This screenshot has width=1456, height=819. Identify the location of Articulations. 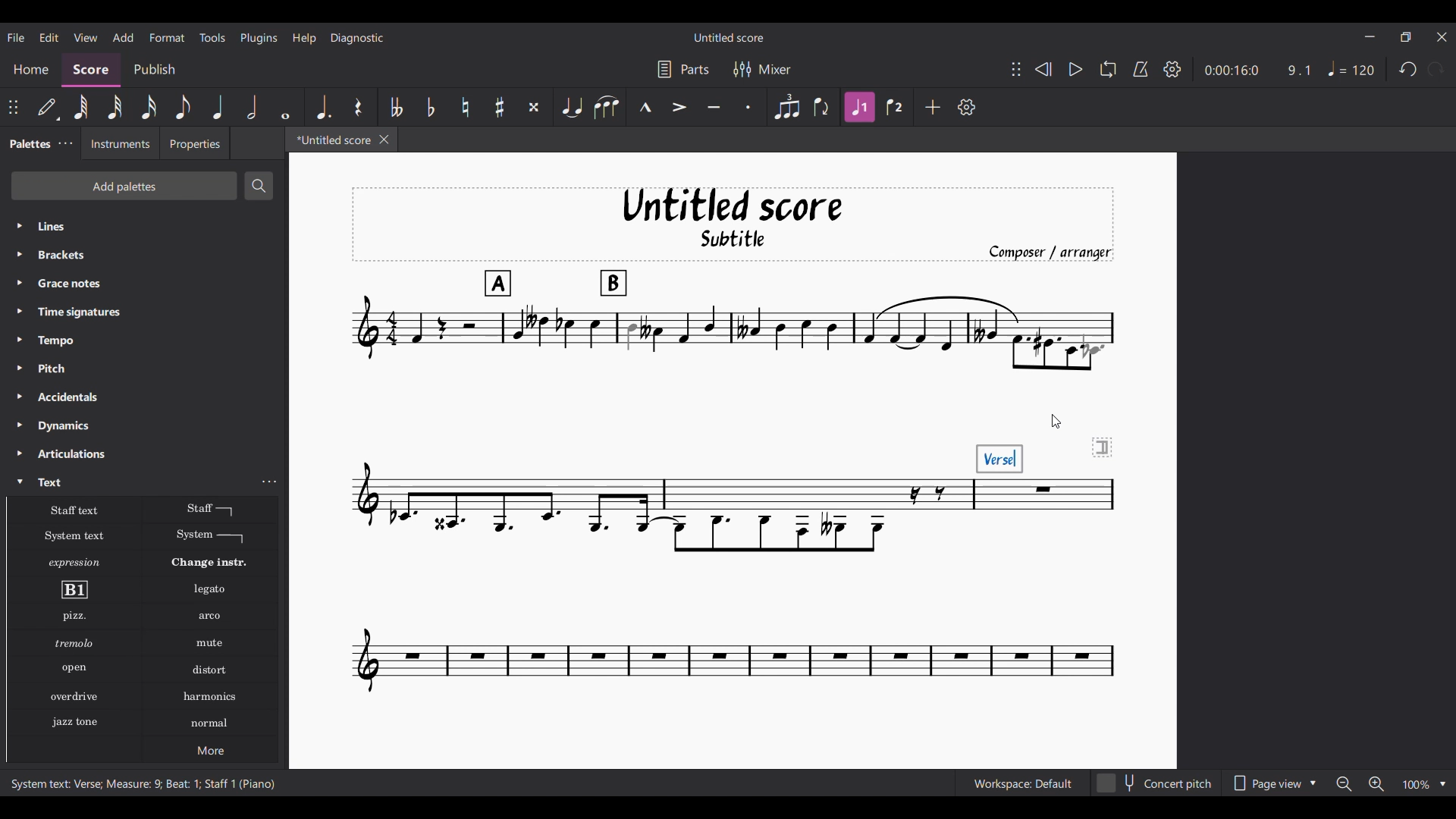
(145, 453).